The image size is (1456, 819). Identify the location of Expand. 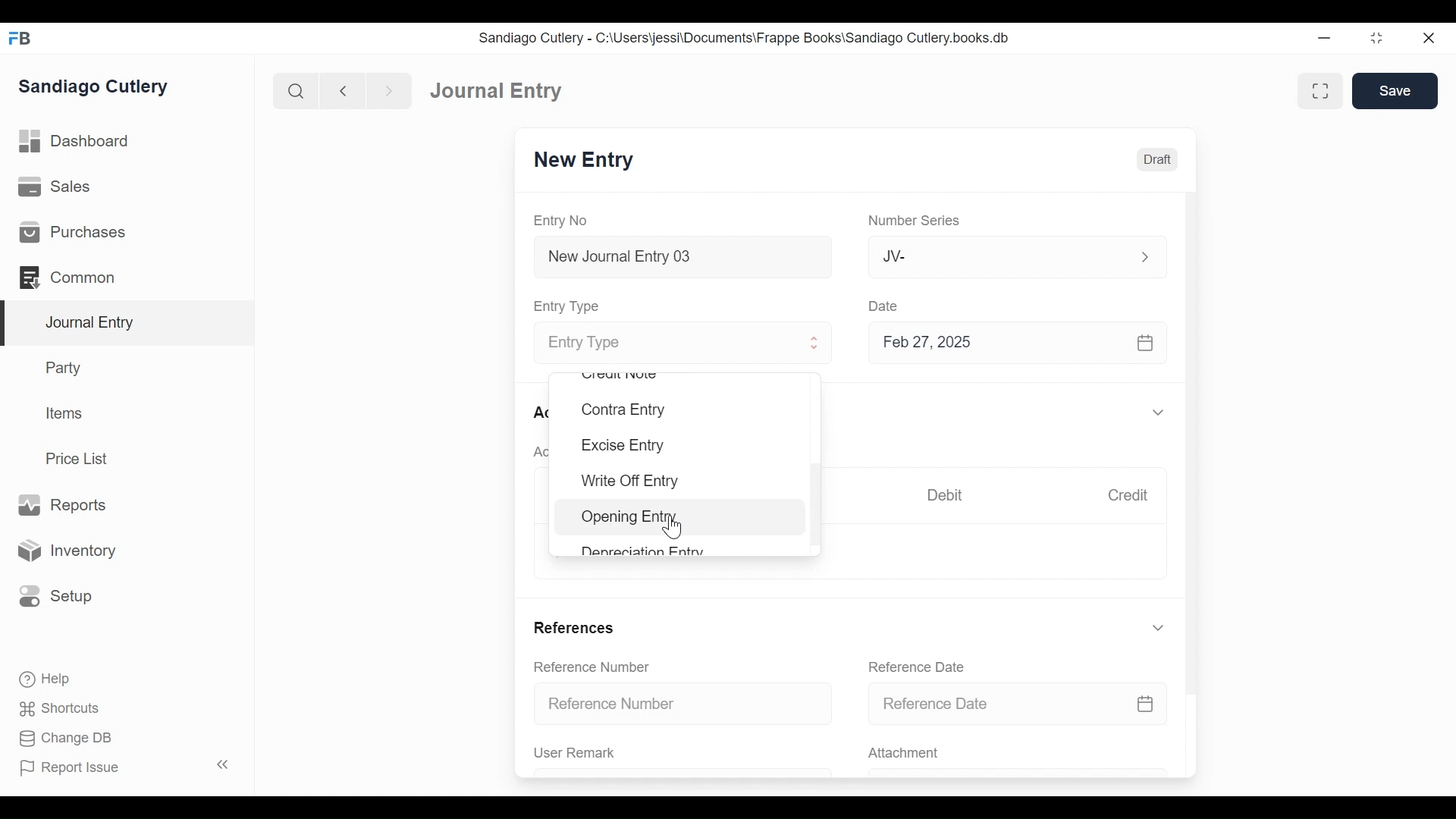
(1160, 628).